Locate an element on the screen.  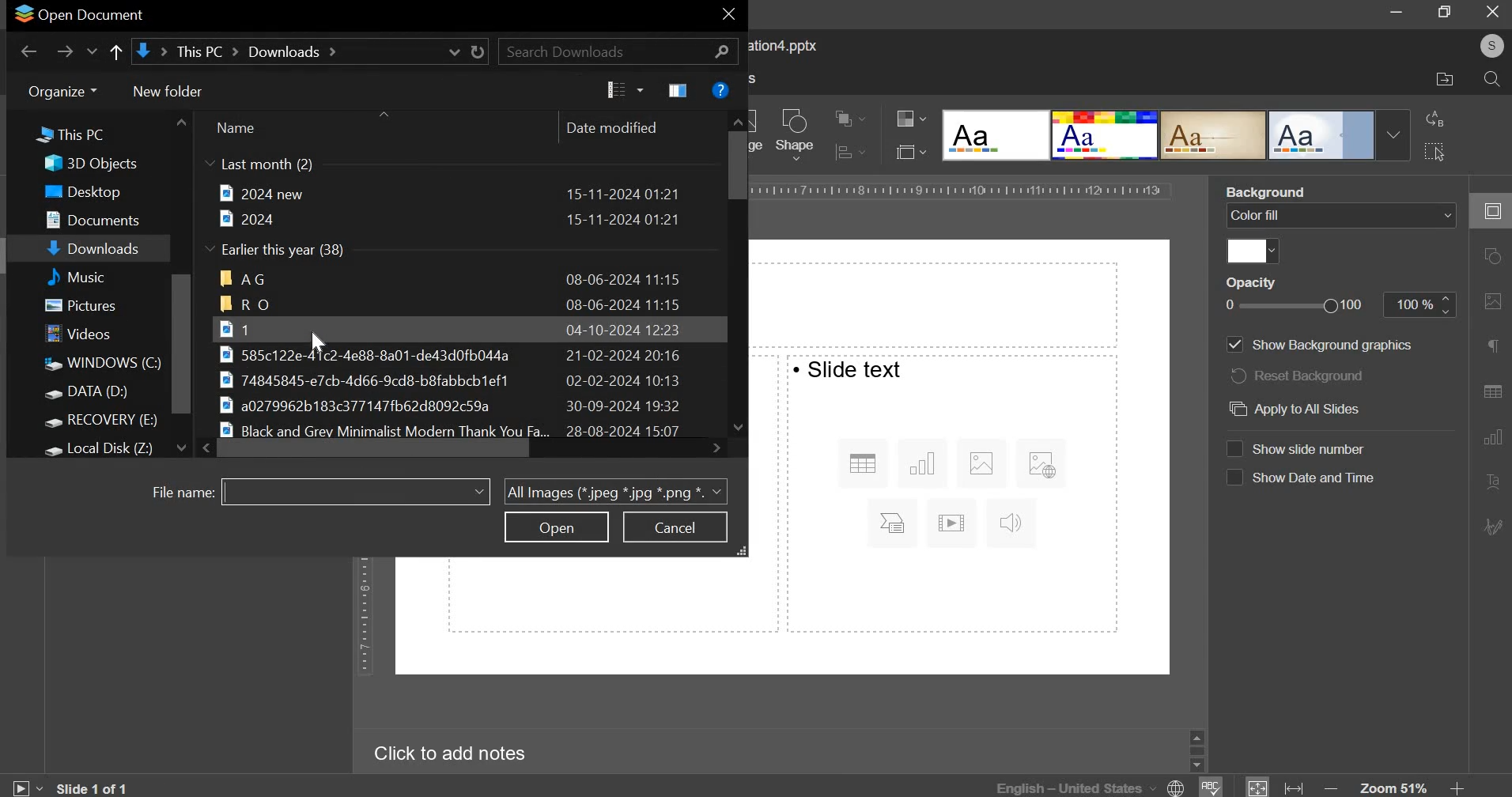
Folder  is located at coordinates (452, 278).